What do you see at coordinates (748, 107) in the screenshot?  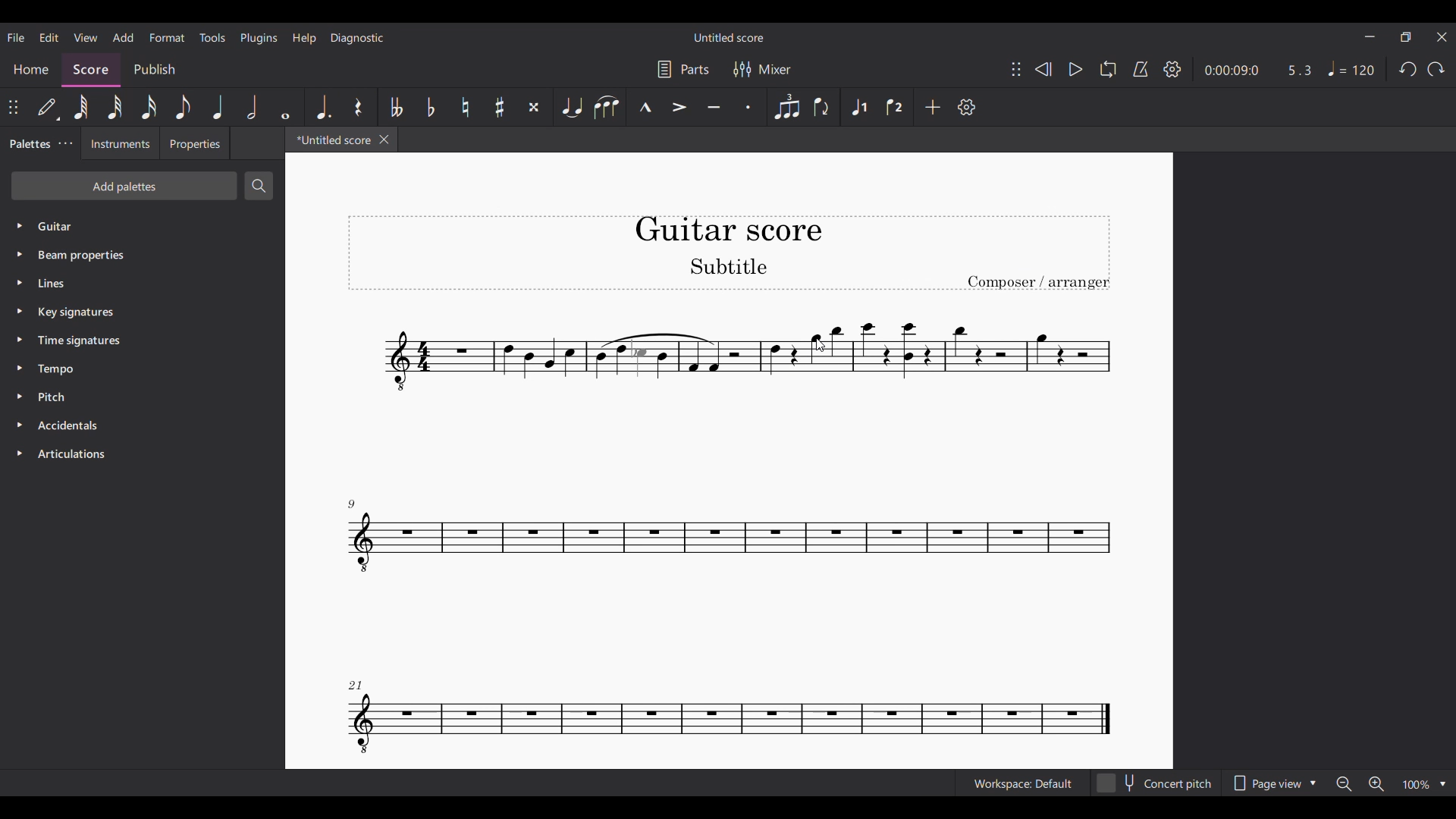 I see `Staccato` at bounding box center [748, 107].